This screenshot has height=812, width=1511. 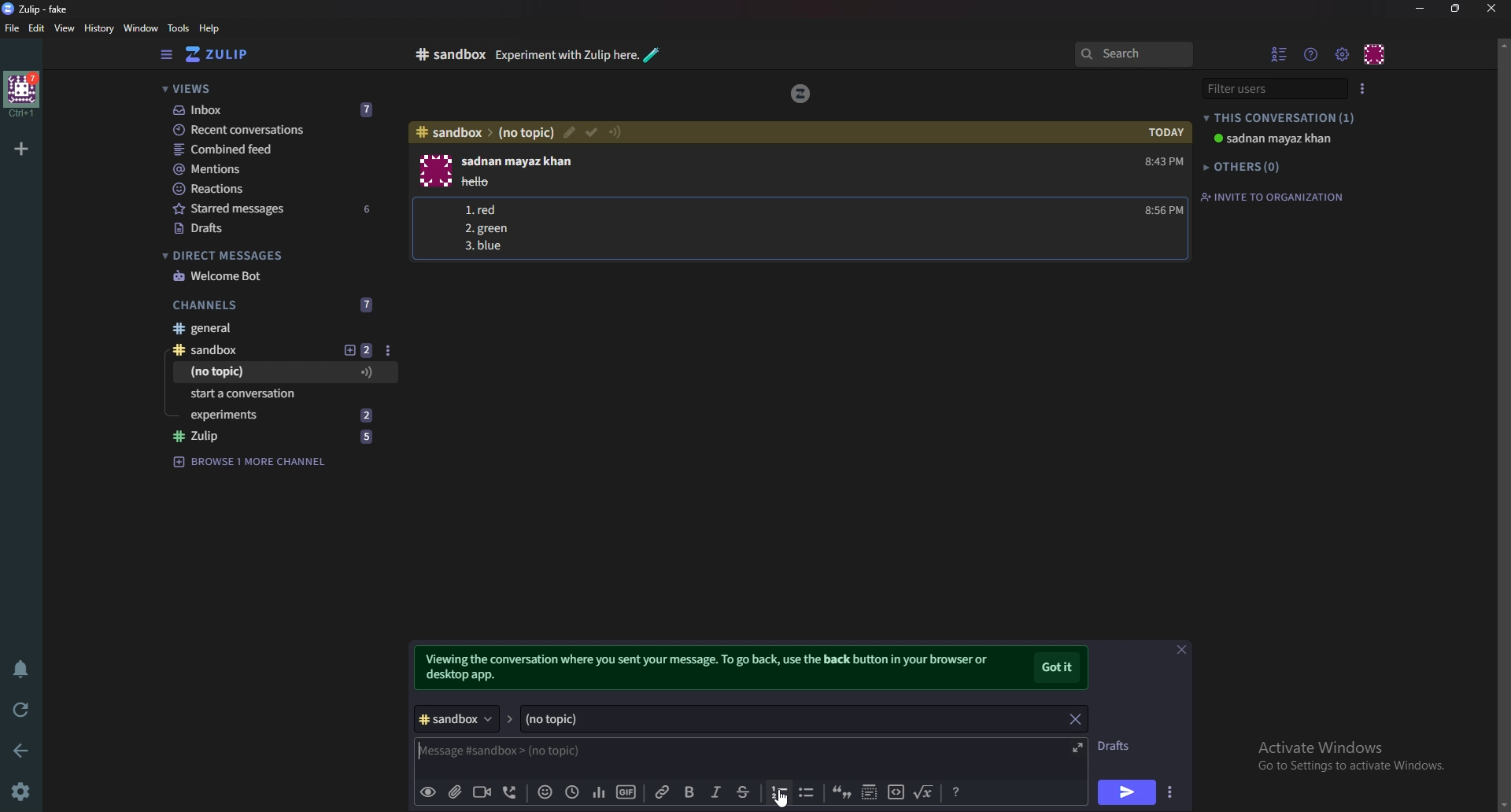 I want to click on Send options, so click(x=1169, y=794).